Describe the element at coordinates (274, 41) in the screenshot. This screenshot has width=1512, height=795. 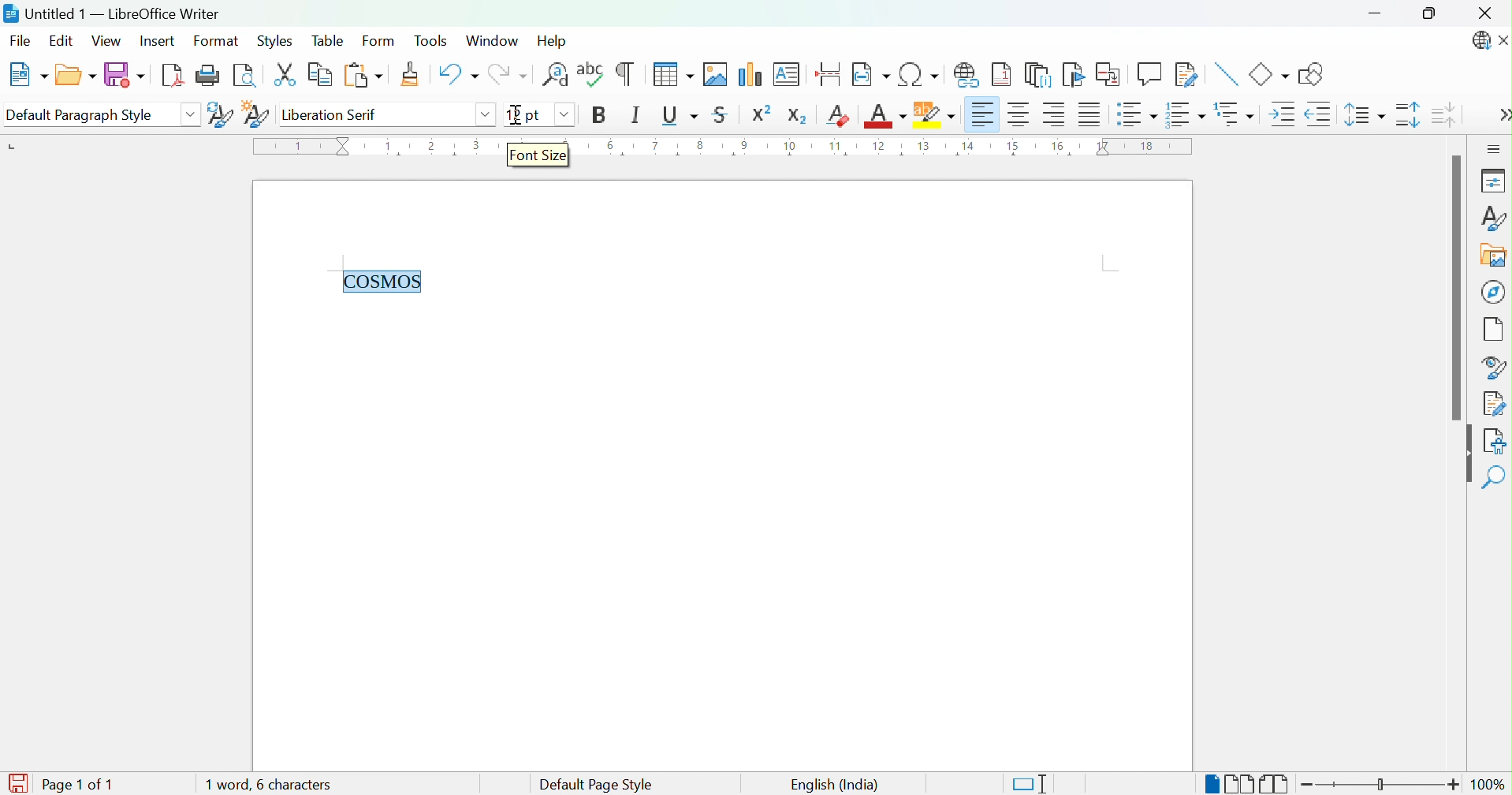
I see `Styles` at that location.